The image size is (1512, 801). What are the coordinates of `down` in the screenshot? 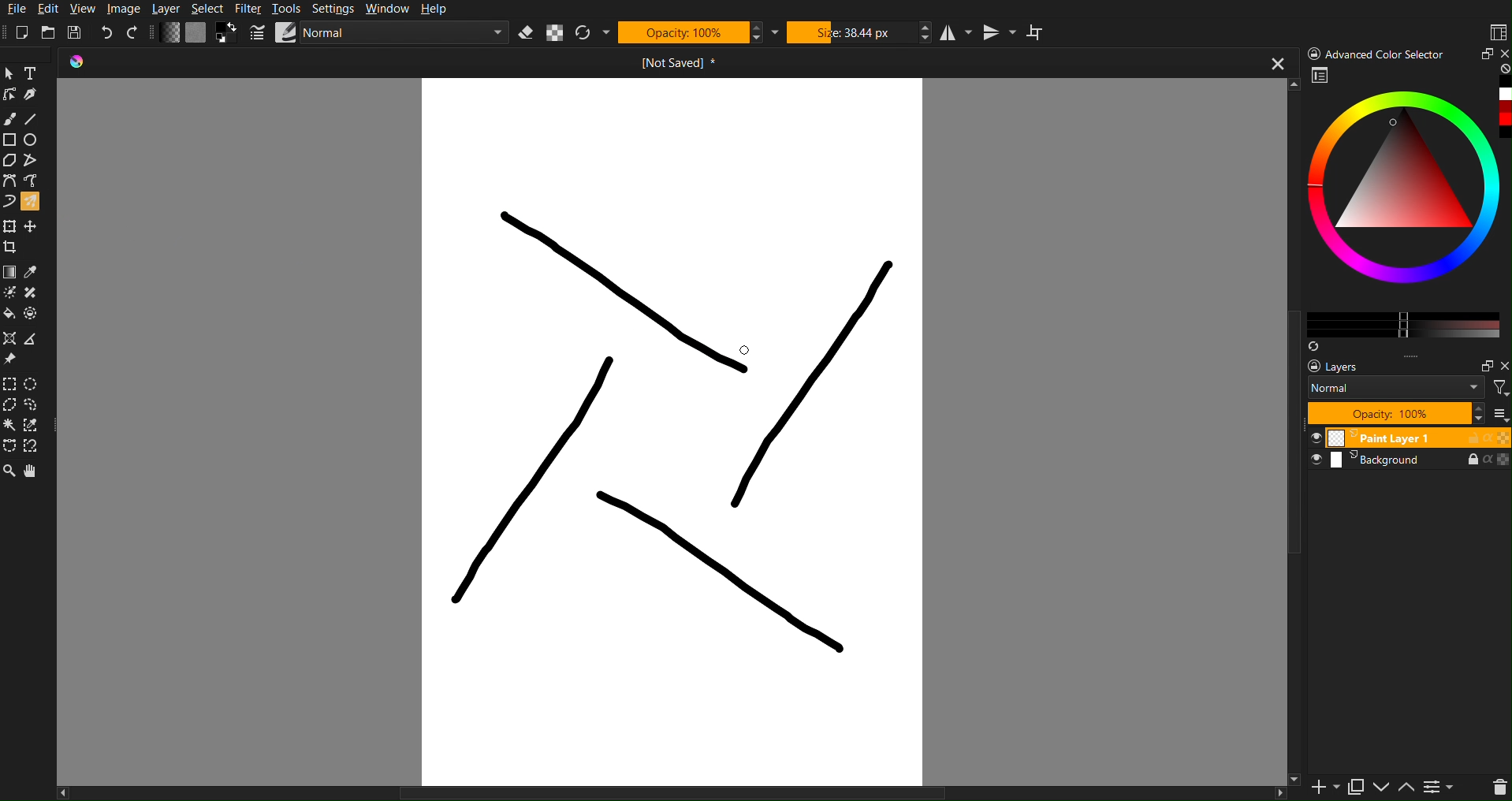 It's located at (1380, 788).